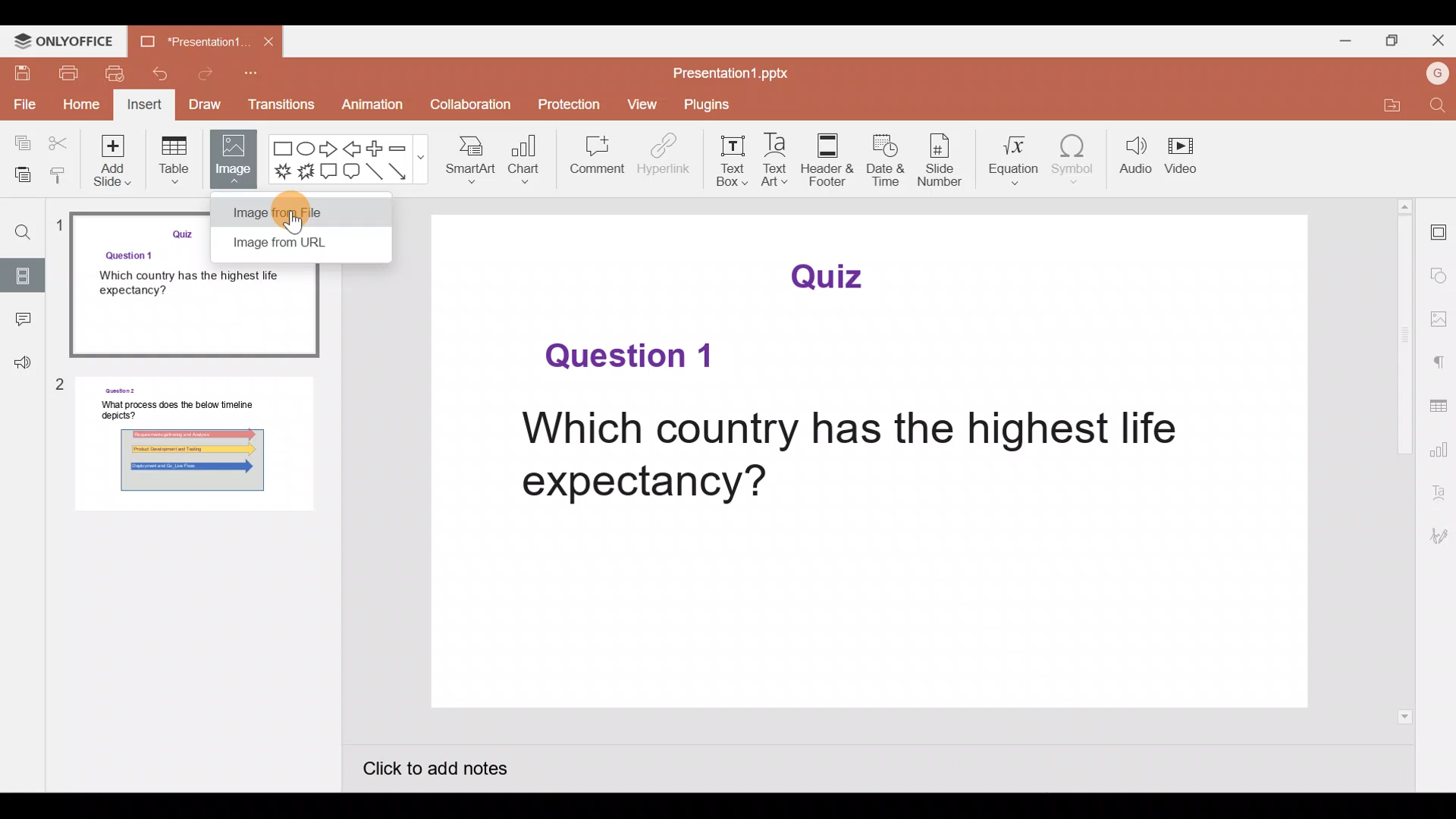  I want to click on Plugins, so click(700, 105).